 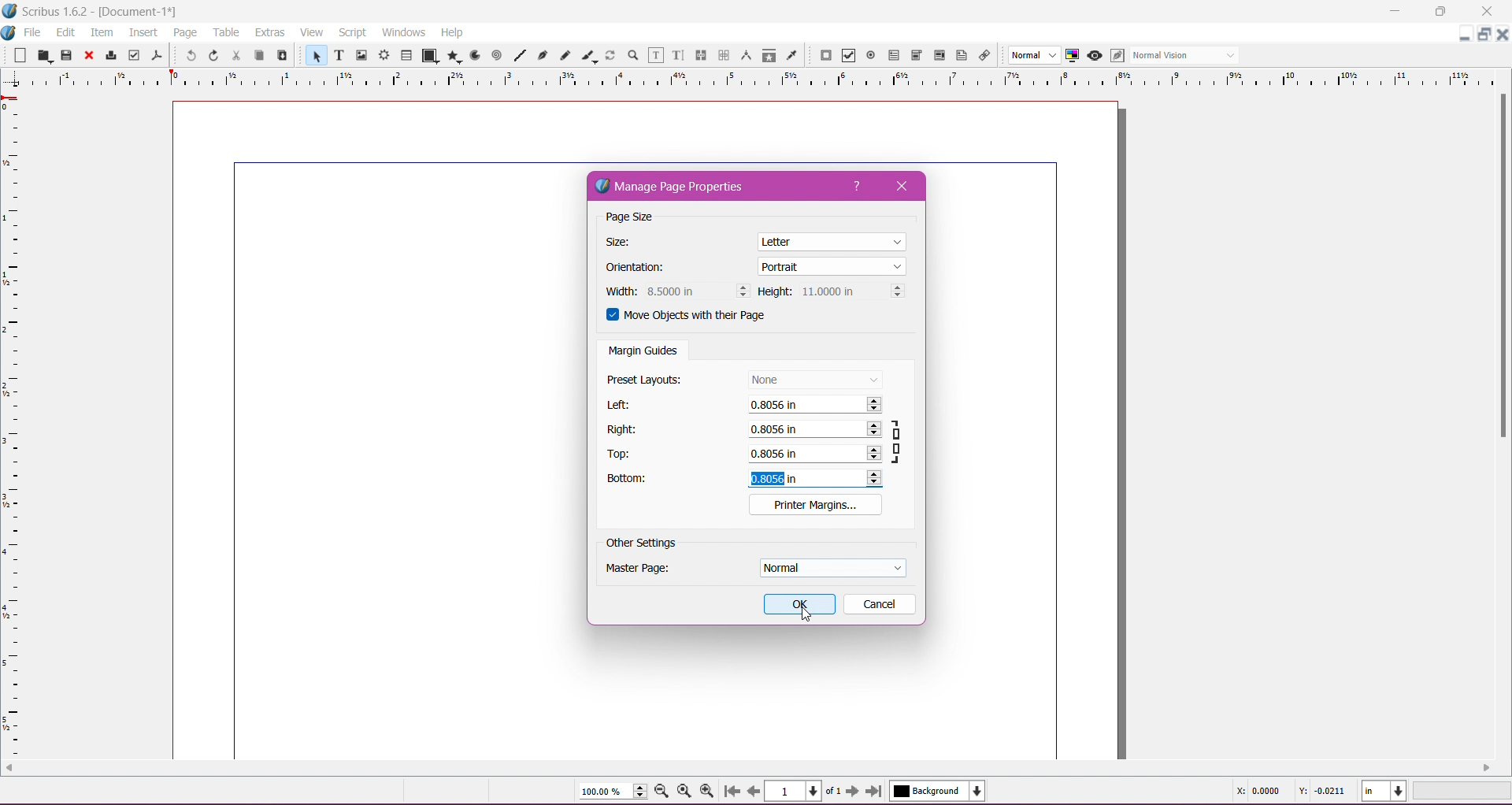 I want to click on Application Name, Version - Document Title, so click(x=106, y=12).